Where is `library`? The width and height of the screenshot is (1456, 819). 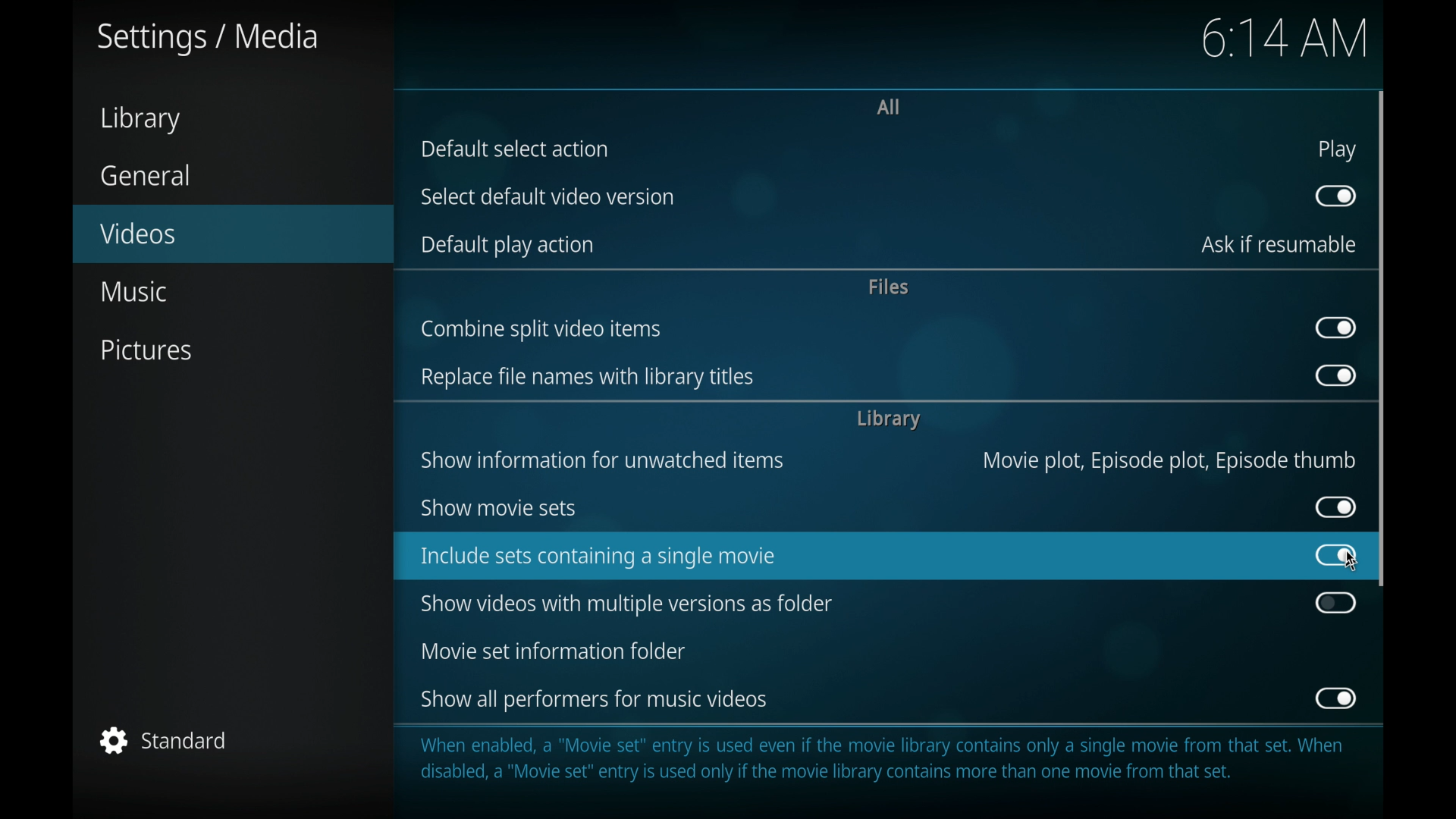
library is located at coordinates (140, 120).